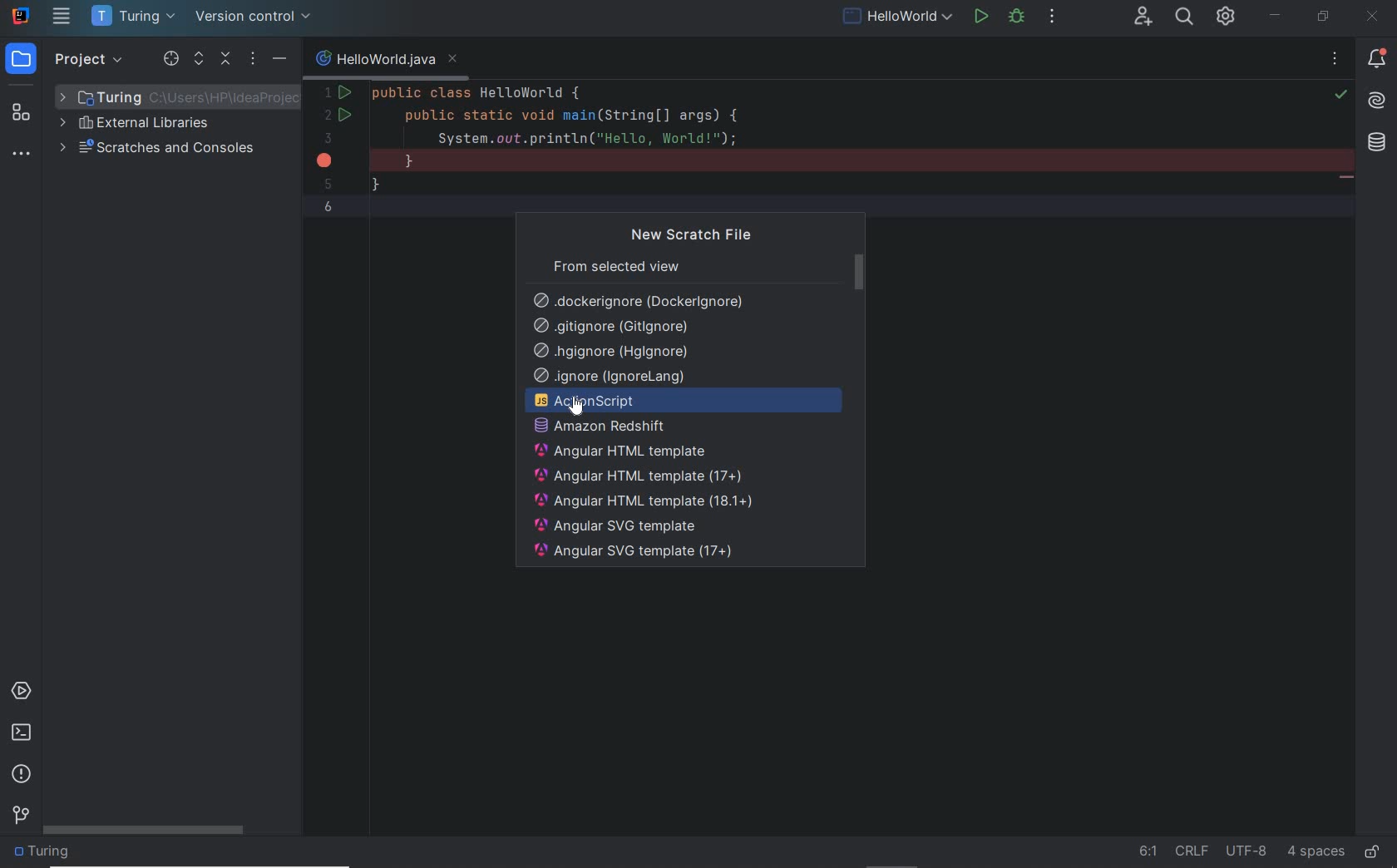 This screenshot has height=868, width=1397. I want to click on structure, so click(23, 106).